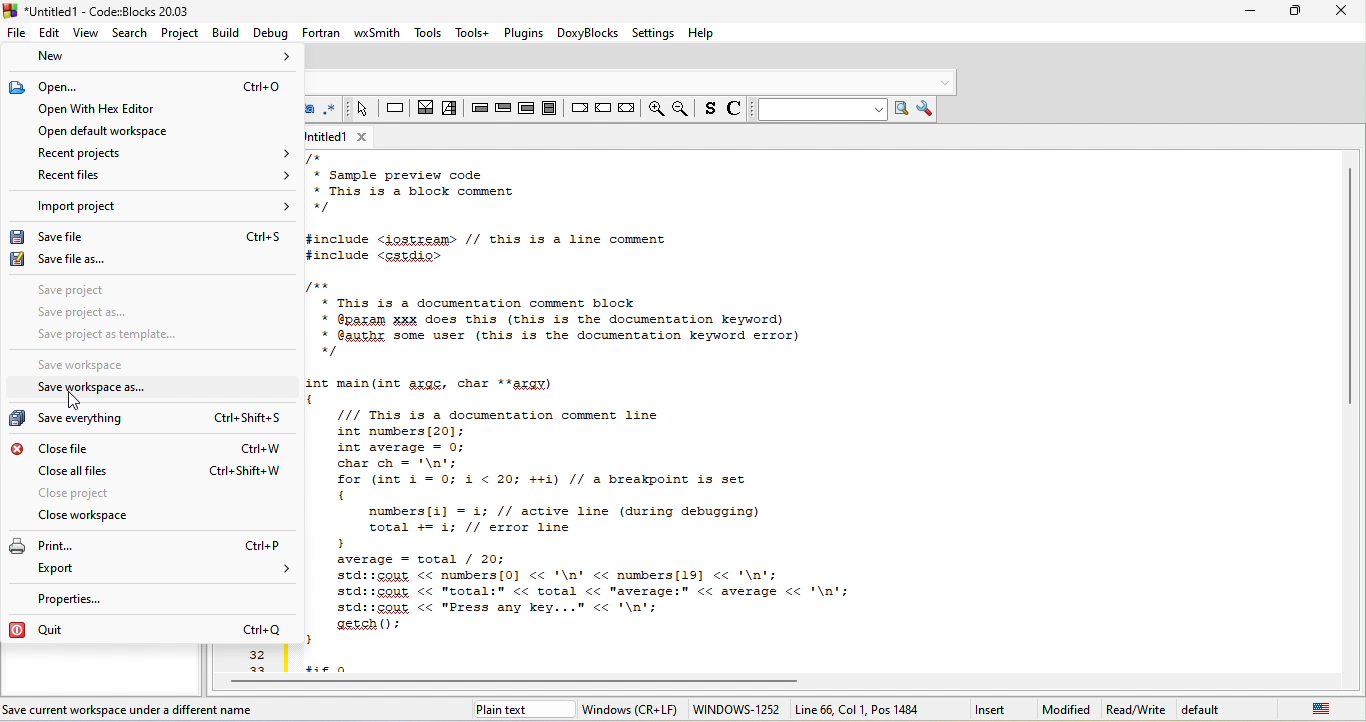 The image size is (1366, 722). Describe the element at coordinates (135, 111) in the screenshot. I see `open with hex editor` at that location.